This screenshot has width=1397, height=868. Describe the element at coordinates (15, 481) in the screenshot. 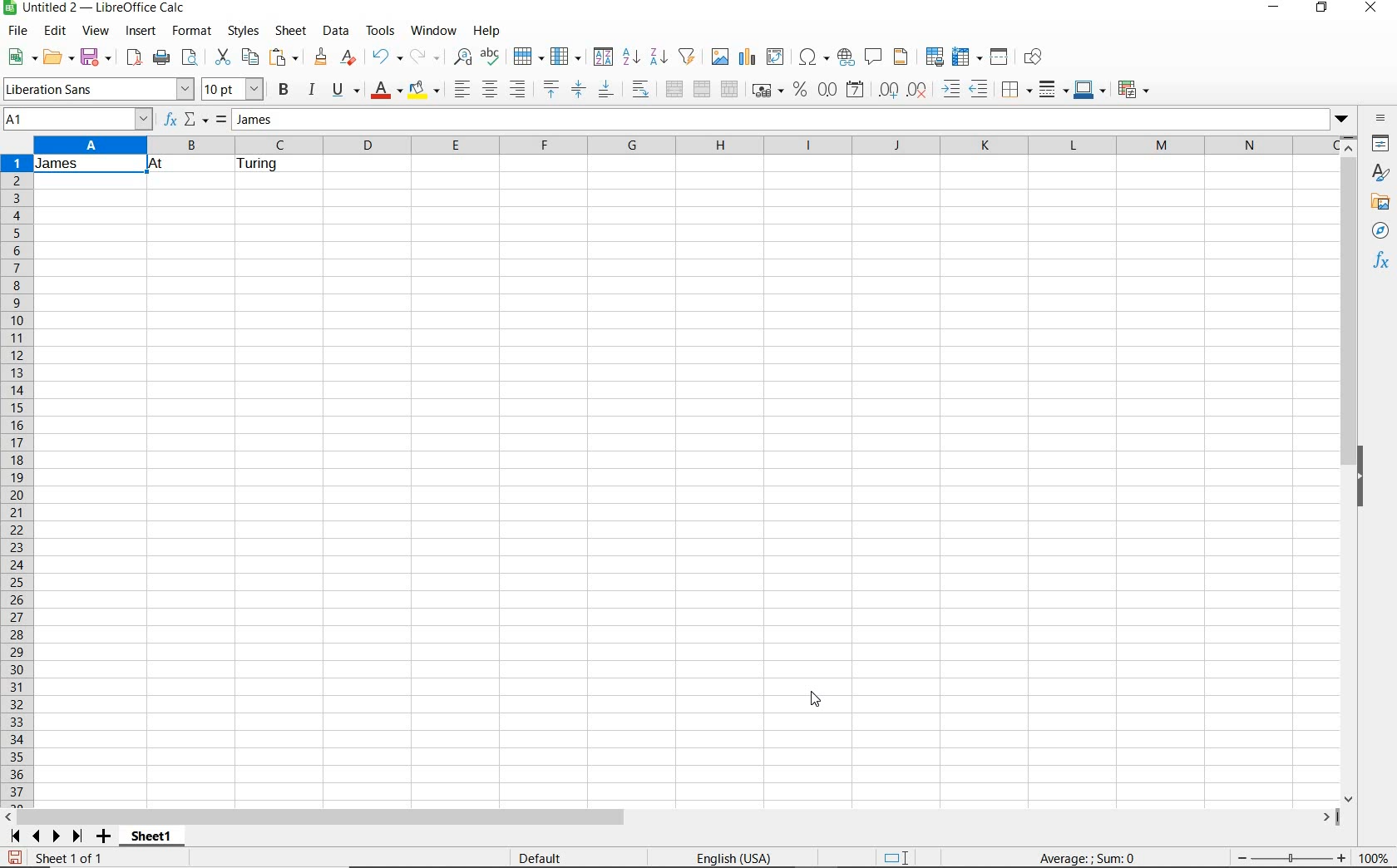

I see `rows` at that location.